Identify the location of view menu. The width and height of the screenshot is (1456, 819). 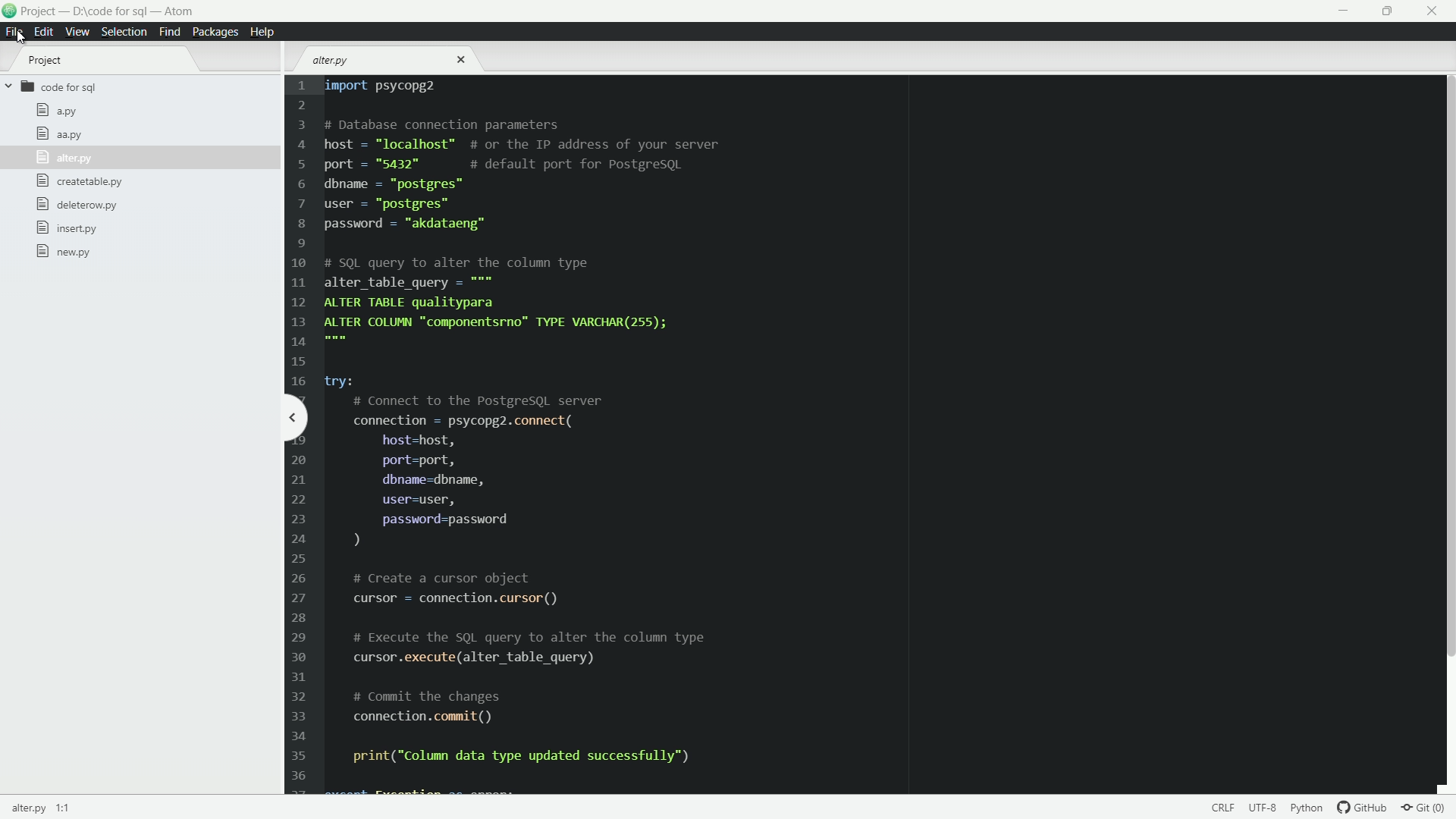
(76, 32).